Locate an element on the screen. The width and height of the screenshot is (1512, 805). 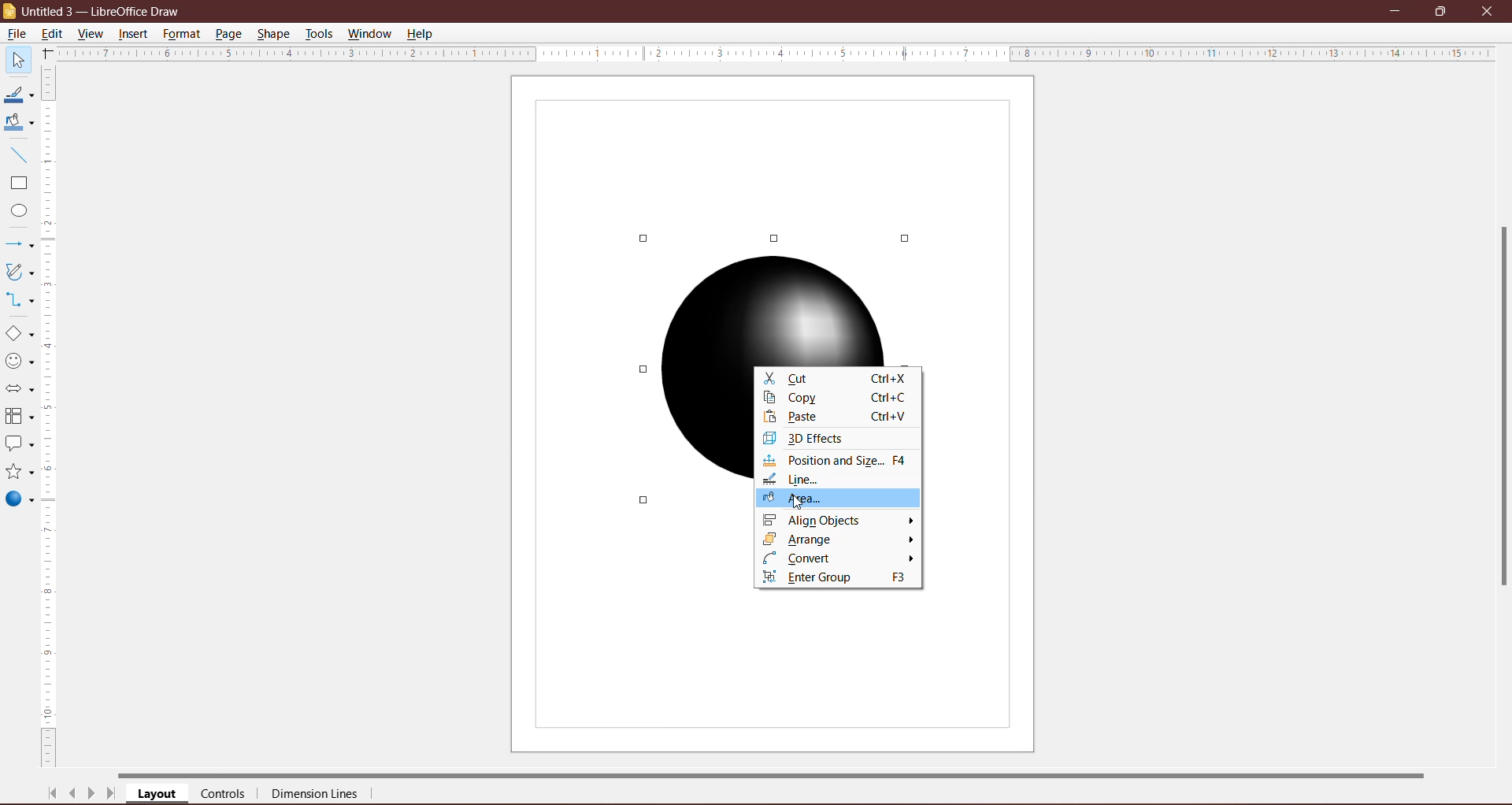
Window is located at coordinates (369, 34).